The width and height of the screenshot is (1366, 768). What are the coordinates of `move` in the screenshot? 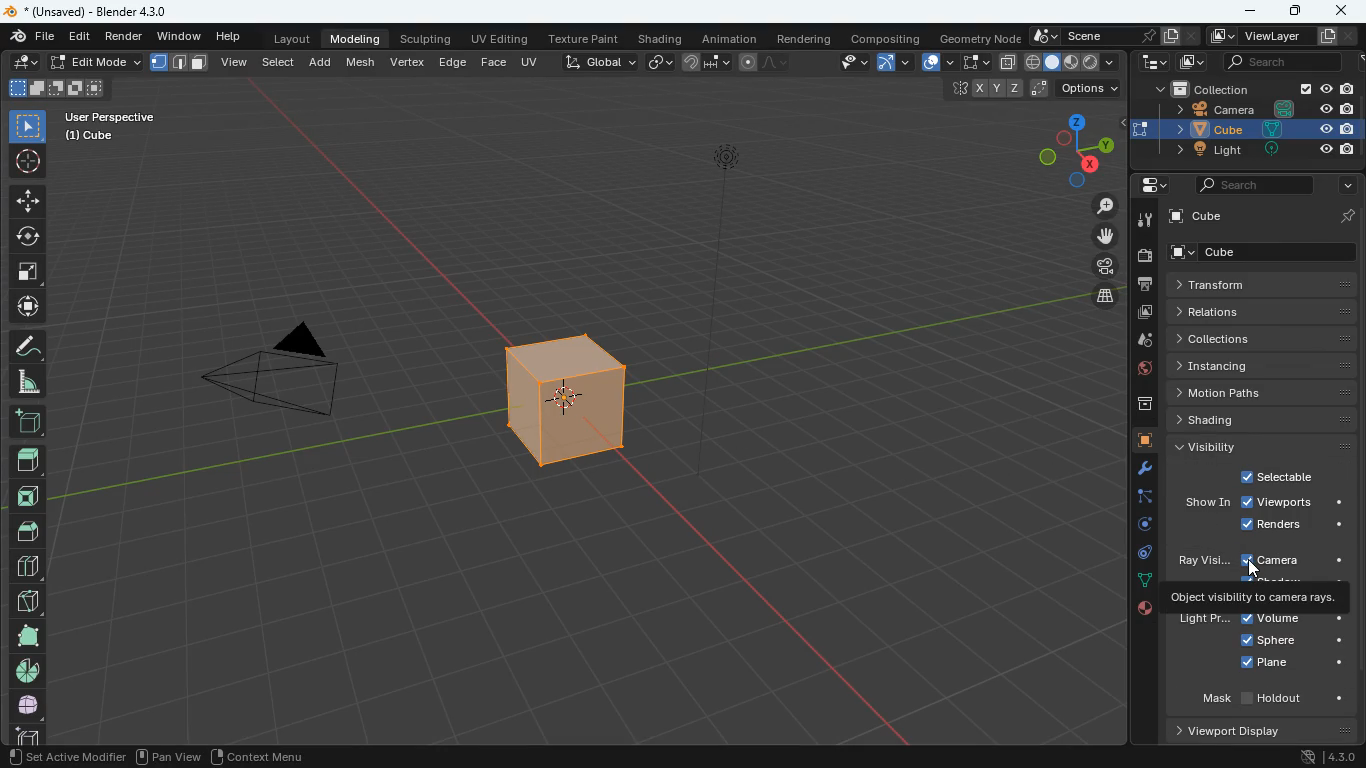 It's located at (27, 308).